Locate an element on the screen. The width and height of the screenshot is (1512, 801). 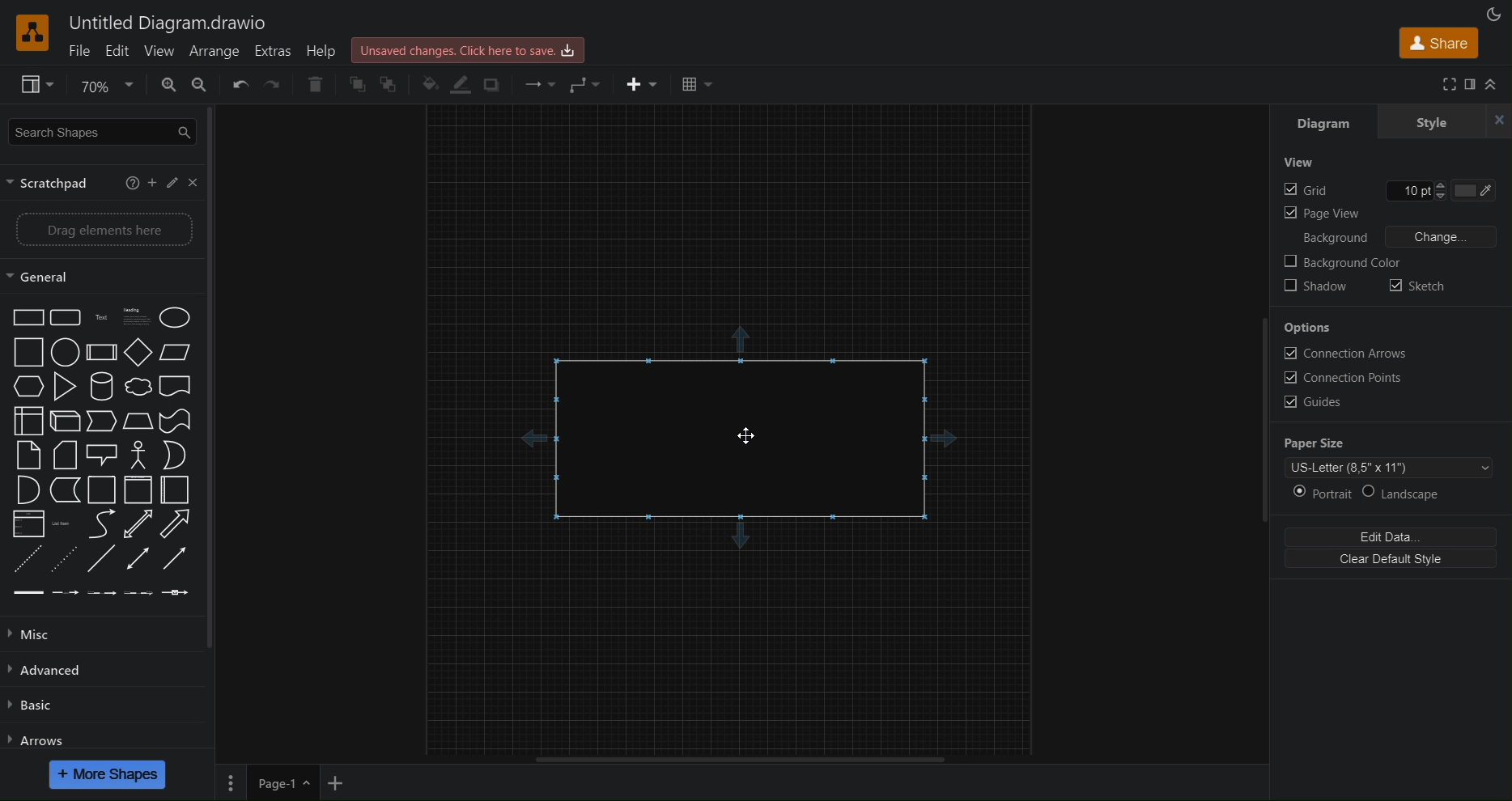
Zoom is located at coordinates (103, 83).